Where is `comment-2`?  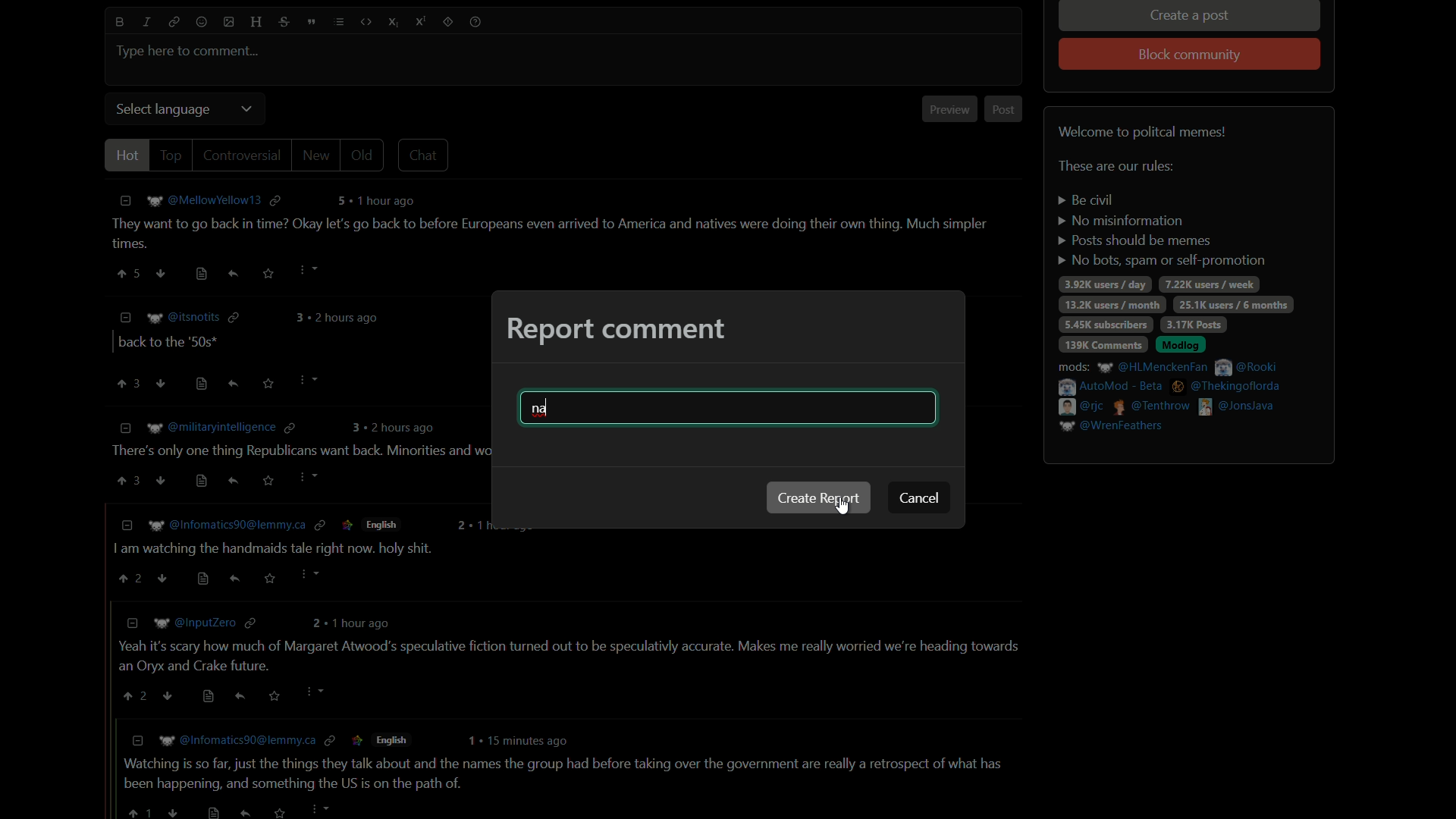 comment-2 is located at coordinates (167, 344).